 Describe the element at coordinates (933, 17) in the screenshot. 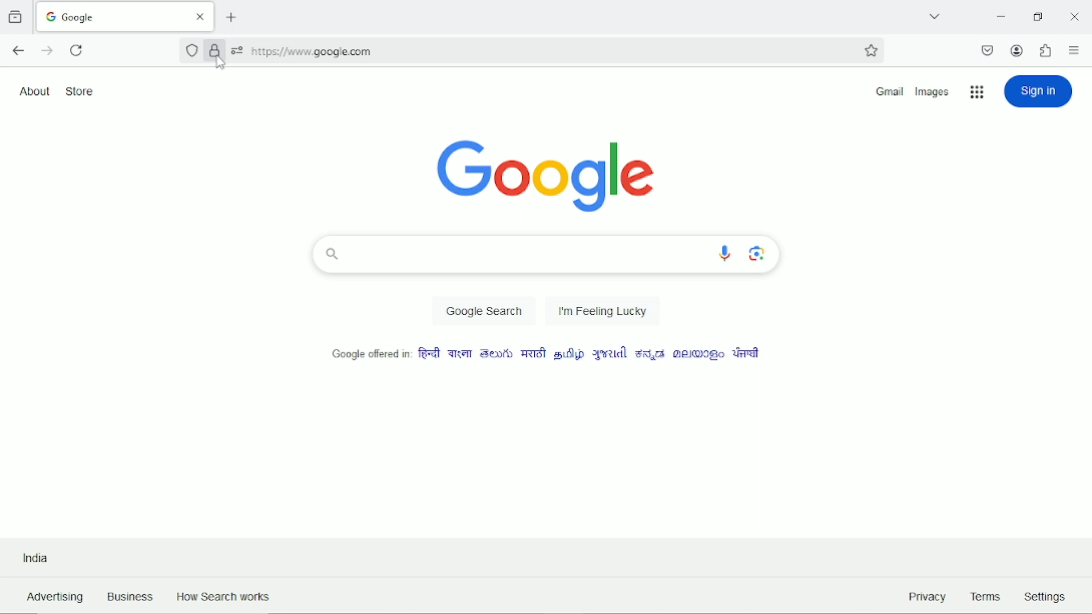

I see `List all tabs` at that location.